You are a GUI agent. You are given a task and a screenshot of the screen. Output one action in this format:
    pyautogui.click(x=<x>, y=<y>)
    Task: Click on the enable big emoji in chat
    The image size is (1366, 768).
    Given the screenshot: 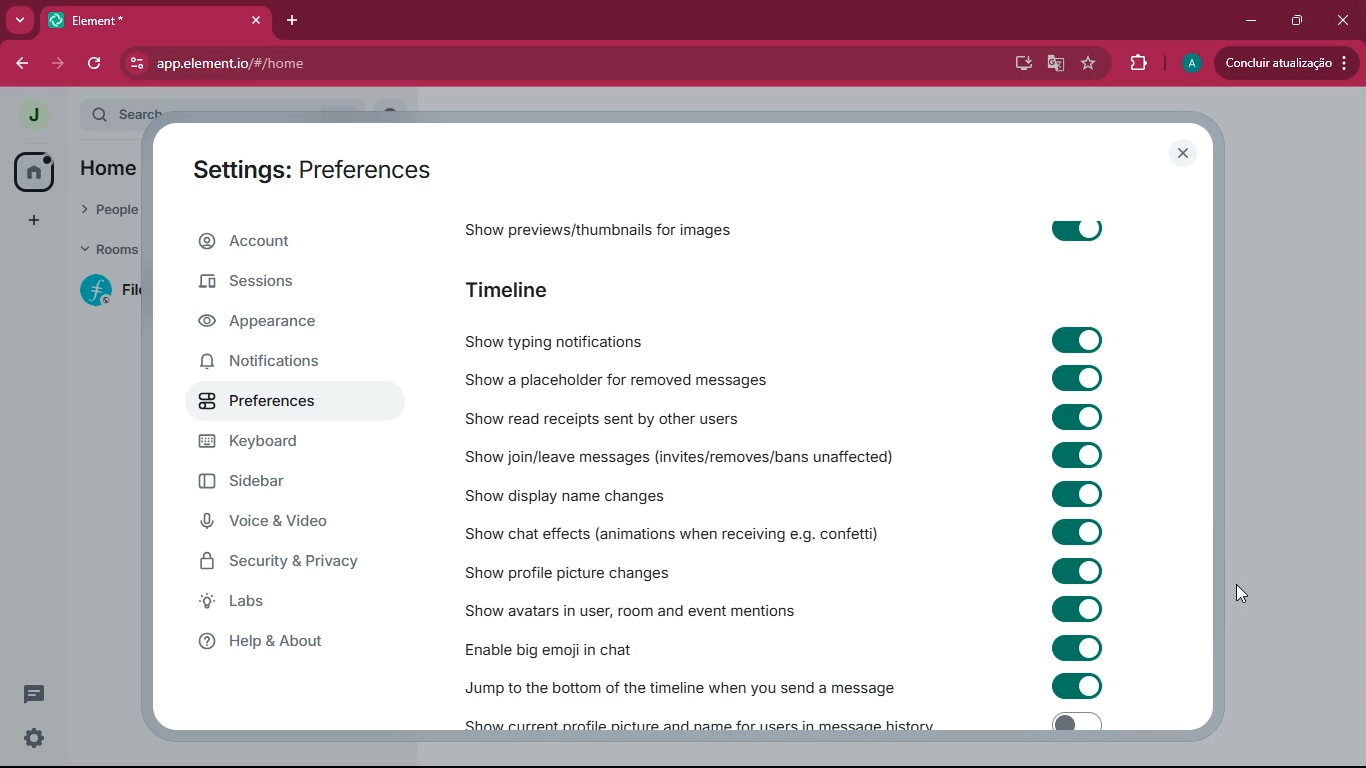 What is the action you would take?
    pyautogui.click(x=565, y=645)
    